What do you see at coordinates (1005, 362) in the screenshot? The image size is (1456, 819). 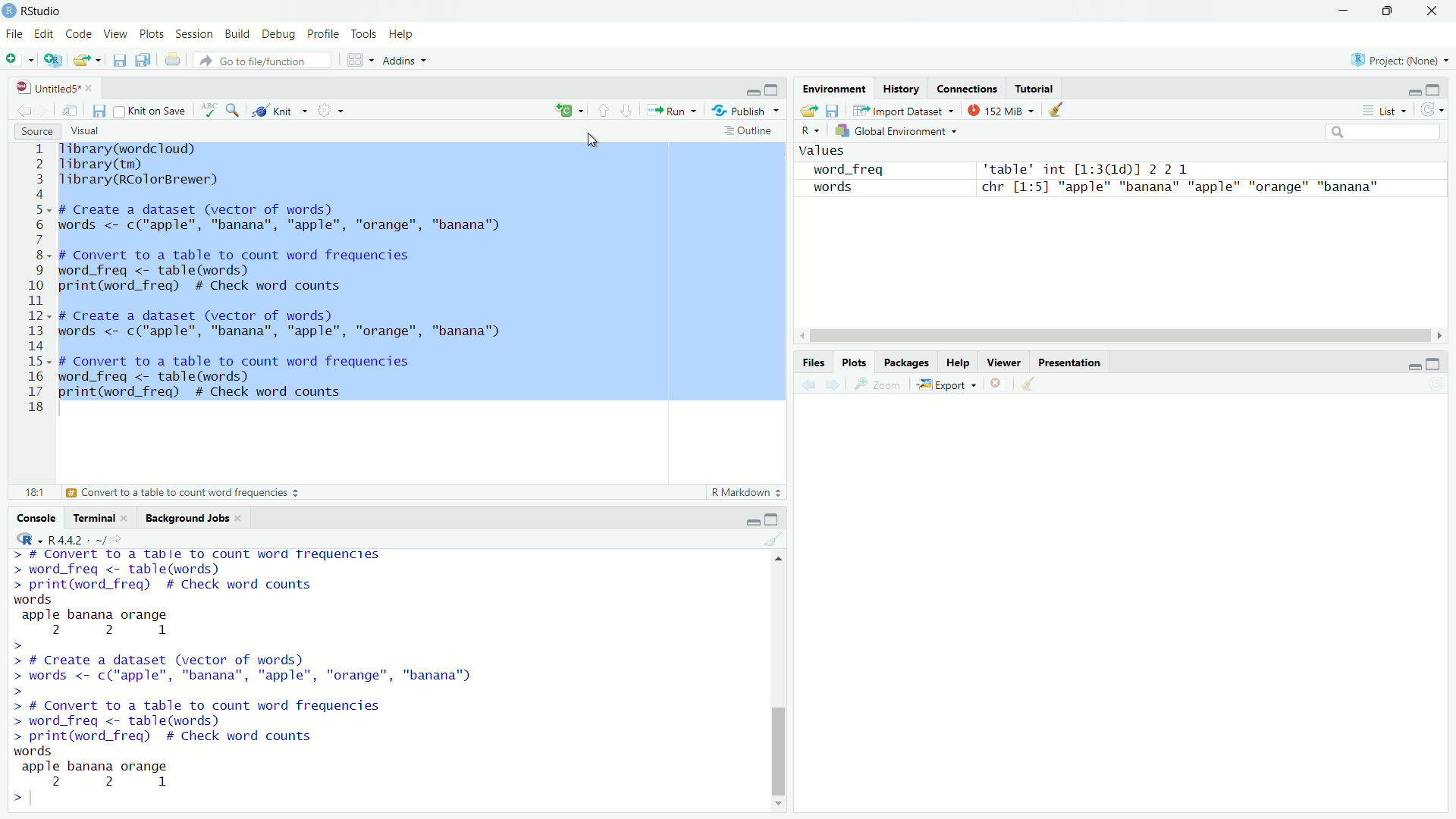 I see `Viewer` at bounding box center [1005, 362].